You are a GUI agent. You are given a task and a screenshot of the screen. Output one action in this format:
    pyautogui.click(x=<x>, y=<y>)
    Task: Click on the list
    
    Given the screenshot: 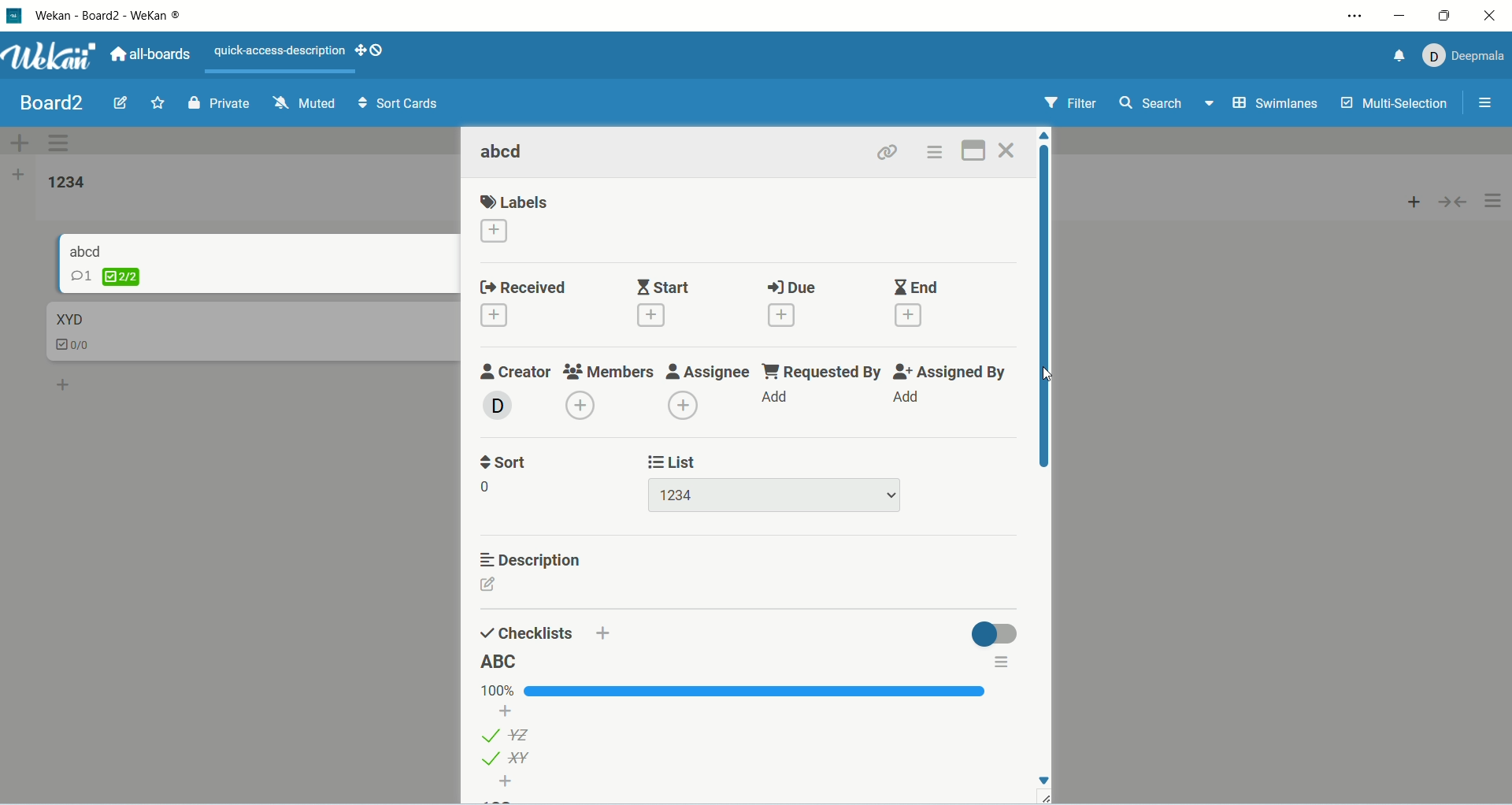 What is the action you would take?
    pyautogui.click(x=508, y=759)
    